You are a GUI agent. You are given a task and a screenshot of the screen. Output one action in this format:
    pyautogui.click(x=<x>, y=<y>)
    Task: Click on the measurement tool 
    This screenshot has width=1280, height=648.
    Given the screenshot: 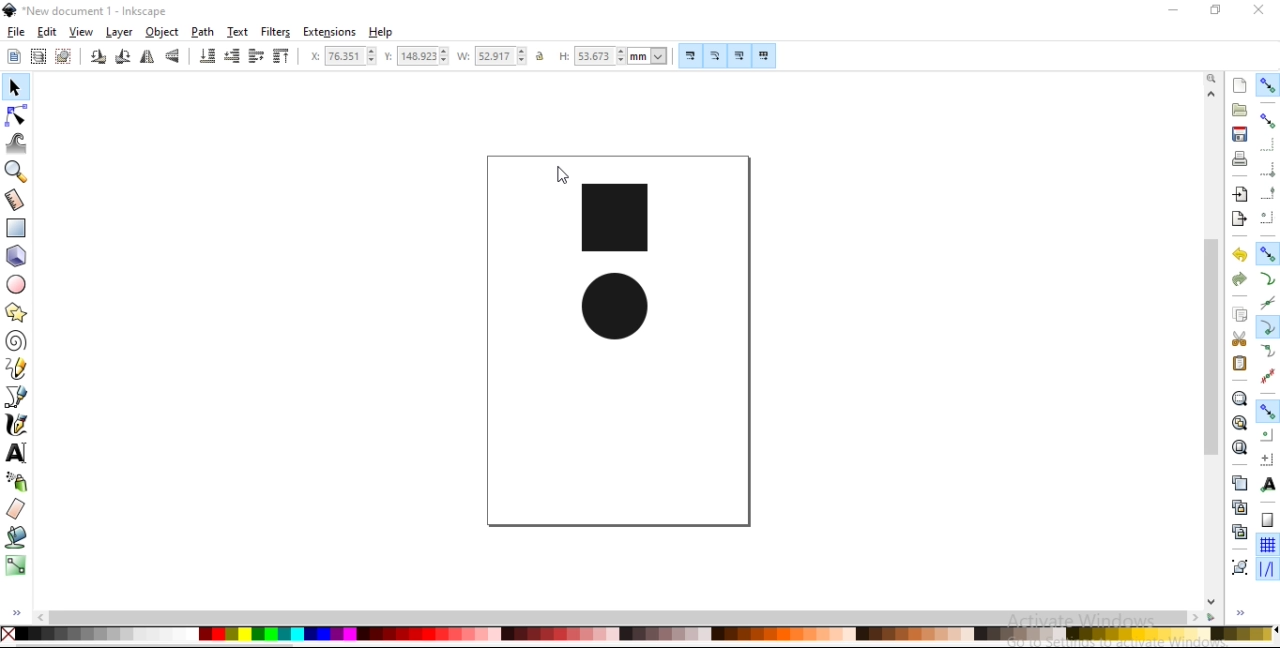 What is the action you would take?
    pyautogui.click(x=17, y=199)
    